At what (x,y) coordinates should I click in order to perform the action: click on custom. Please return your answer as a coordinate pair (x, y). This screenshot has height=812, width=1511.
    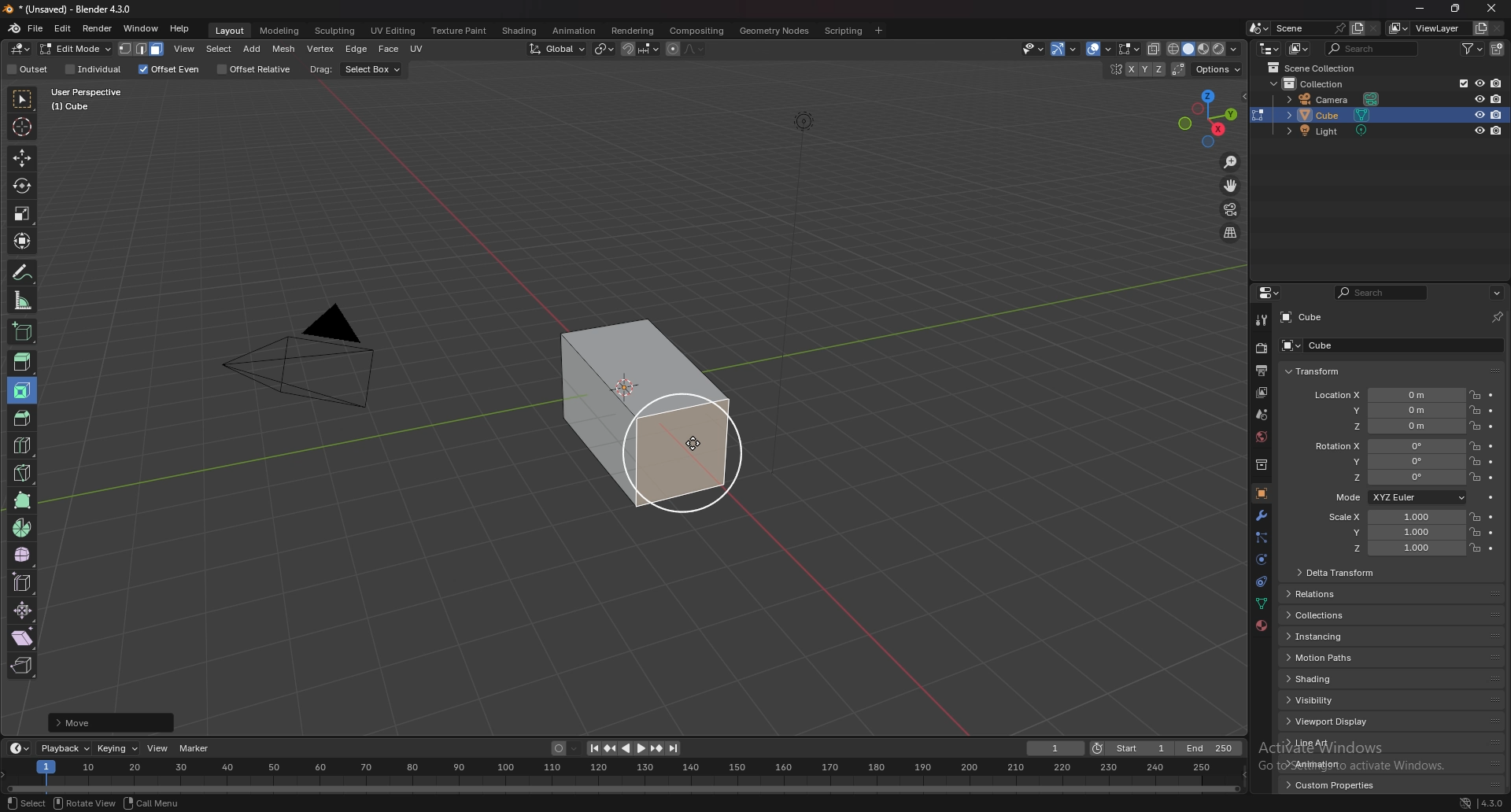
    Looking at the image, I should click on (1326, 788).